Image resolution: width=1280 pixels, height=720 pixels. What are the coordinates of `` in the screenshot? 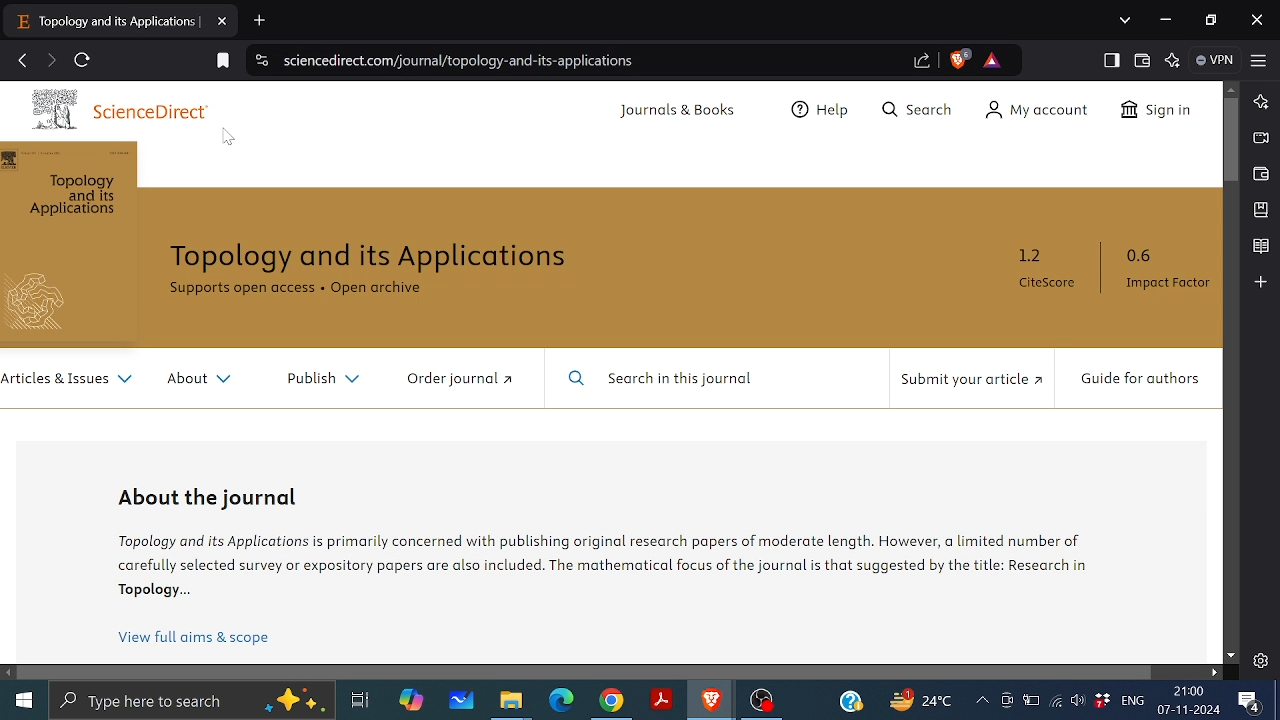 It's located at (1032, 702).